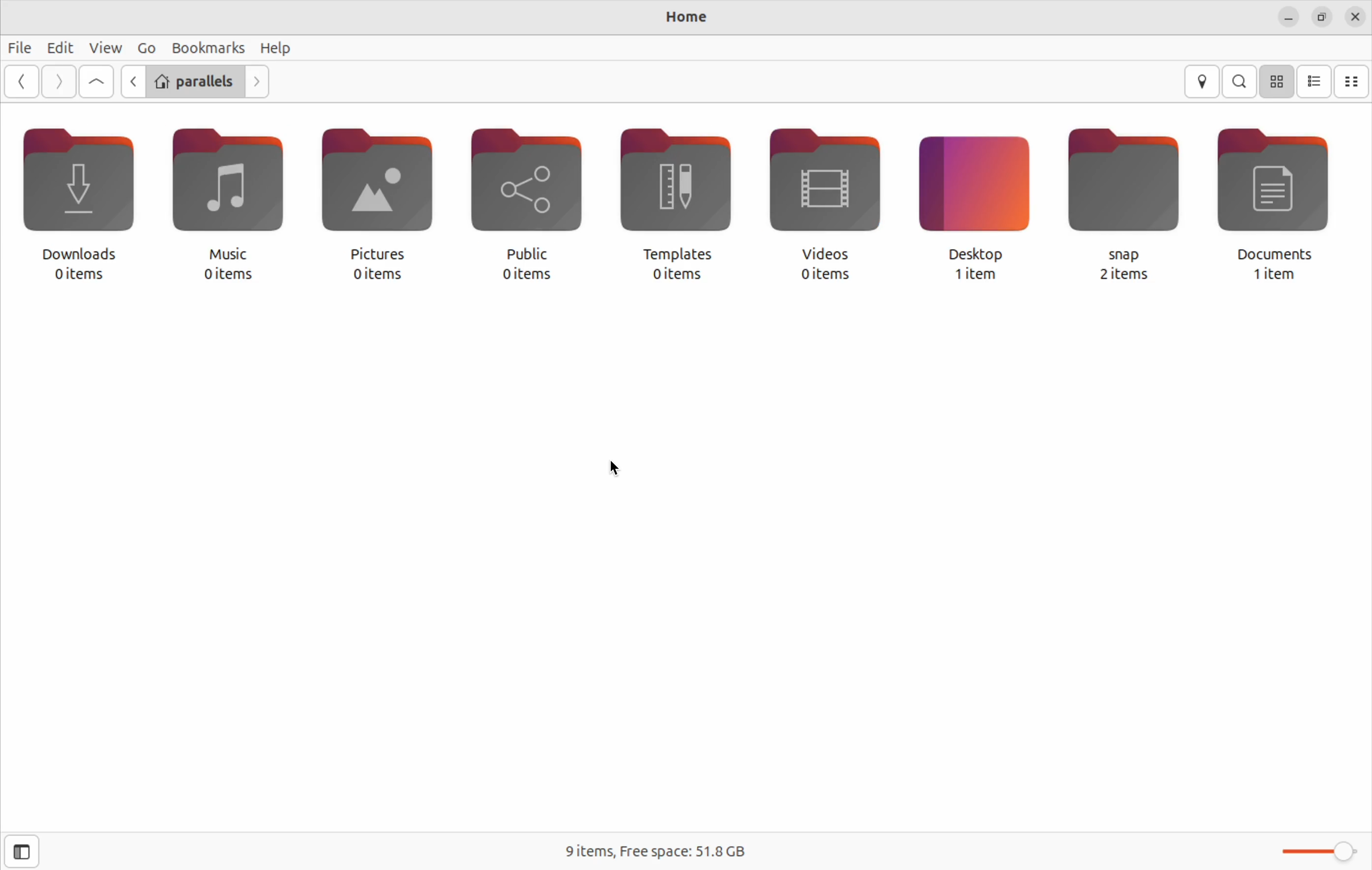 The width and height of the screenshot is (1372, 870). What do you see at coordinates (232, 205) in the screenshot?
I see `music` at bounding box center [232, 205].